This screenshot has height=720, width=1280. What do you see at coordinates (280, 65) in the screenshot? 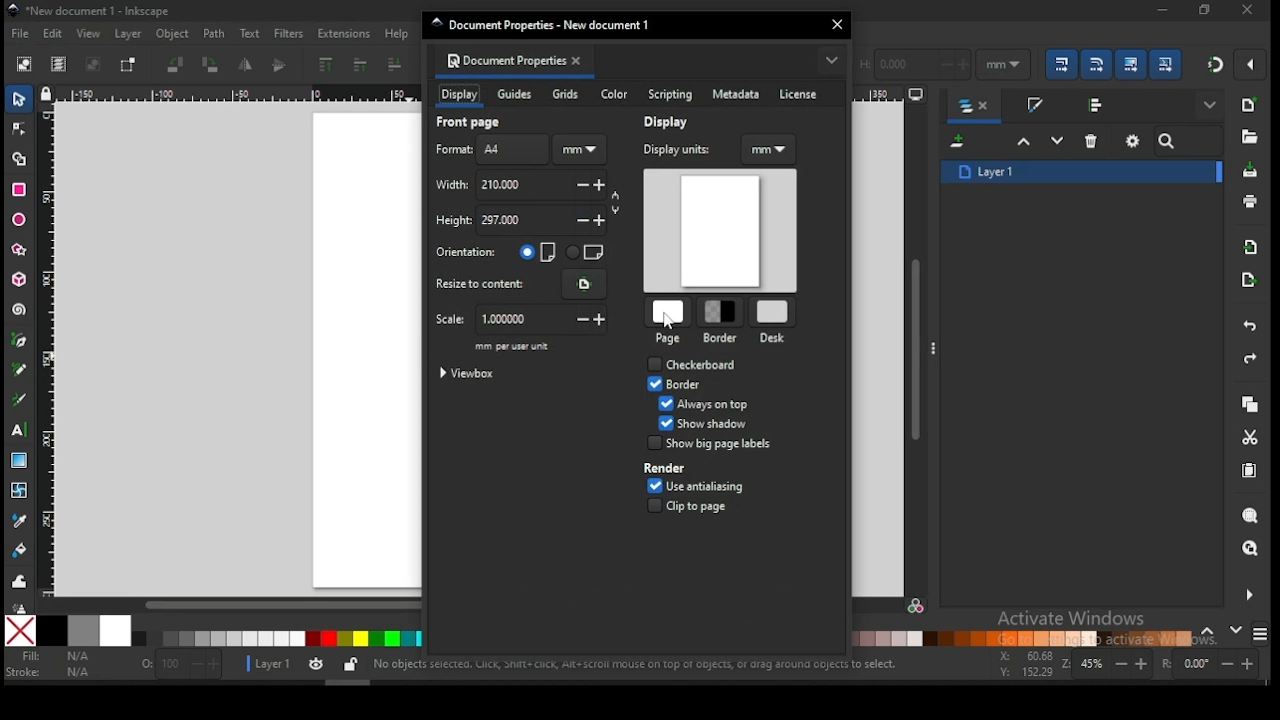
I see `object flip vertical` at bounding box center [280, 65].